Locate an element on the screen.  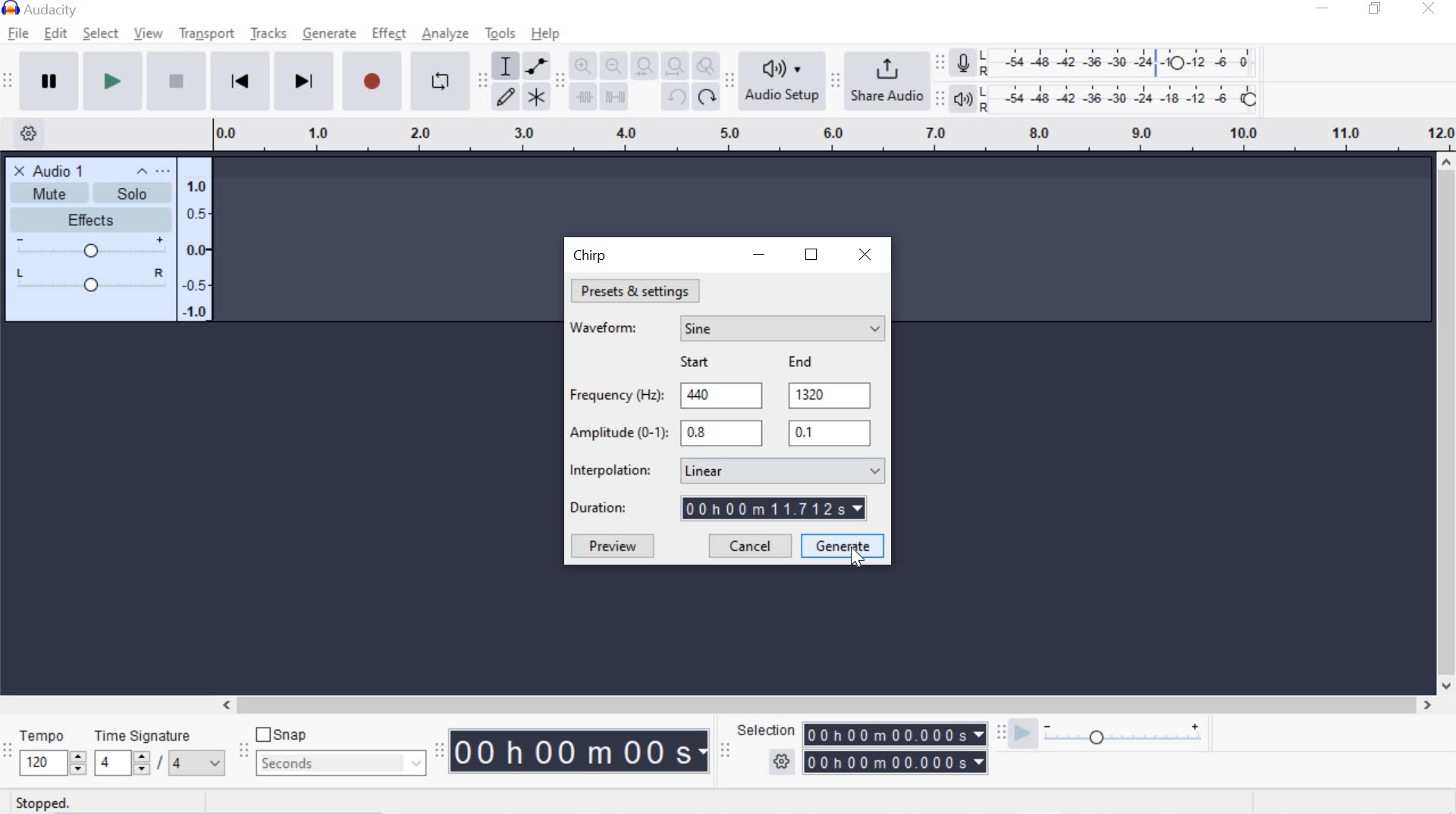
cancel is located at coordinates (748, 546).